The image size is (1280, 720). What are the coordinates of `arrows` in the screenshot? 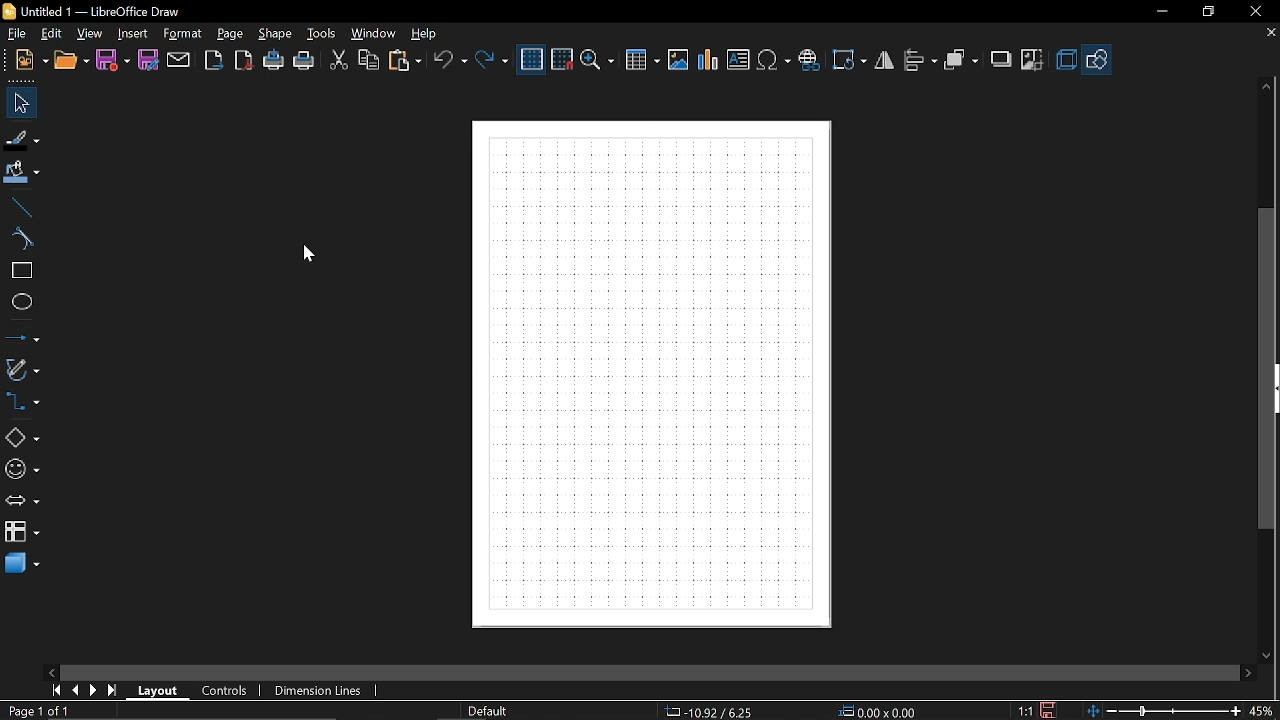 It's located at (22, 502).